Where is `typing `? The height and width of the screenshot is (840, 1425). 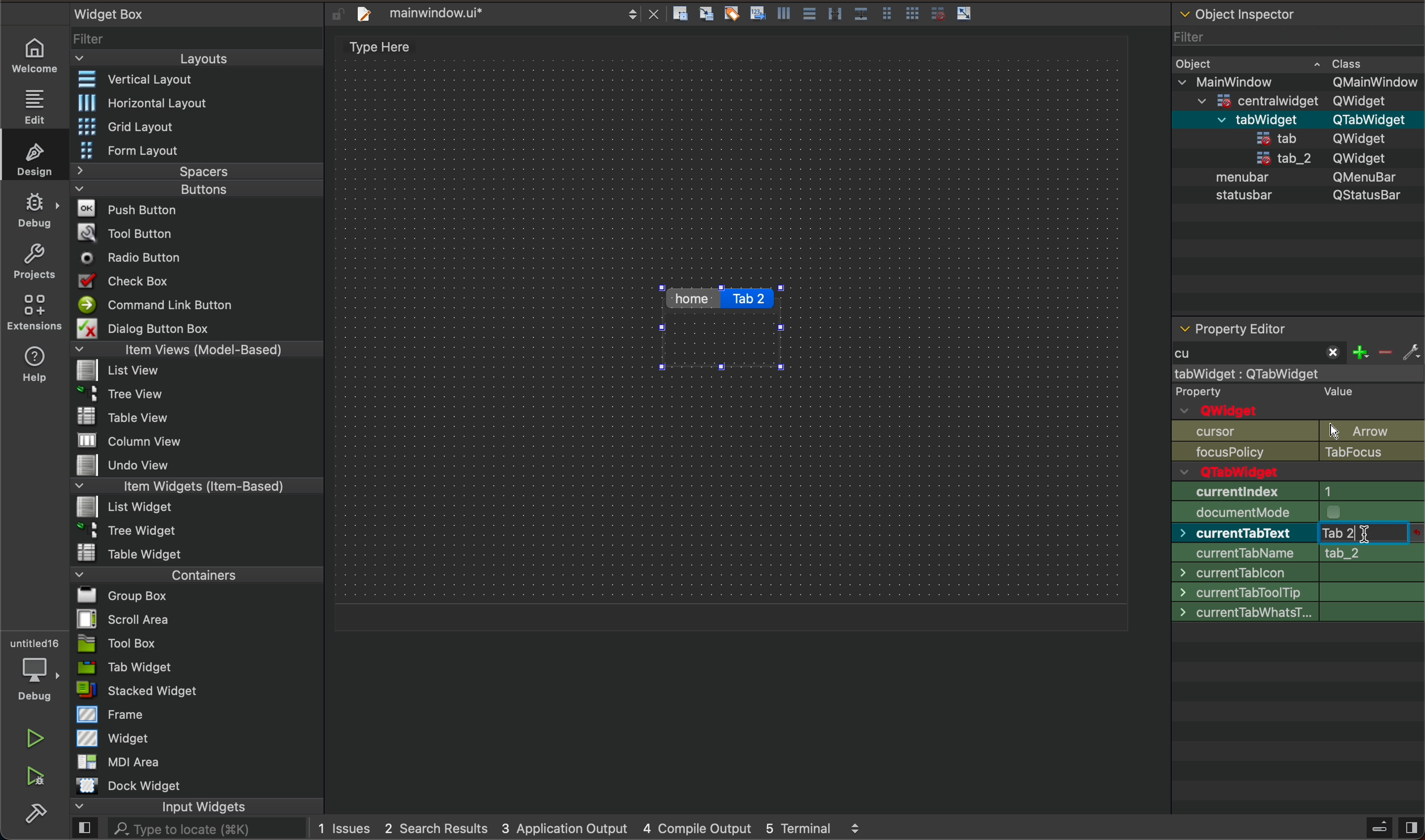 typing  is located at coordinates (1364, 535).